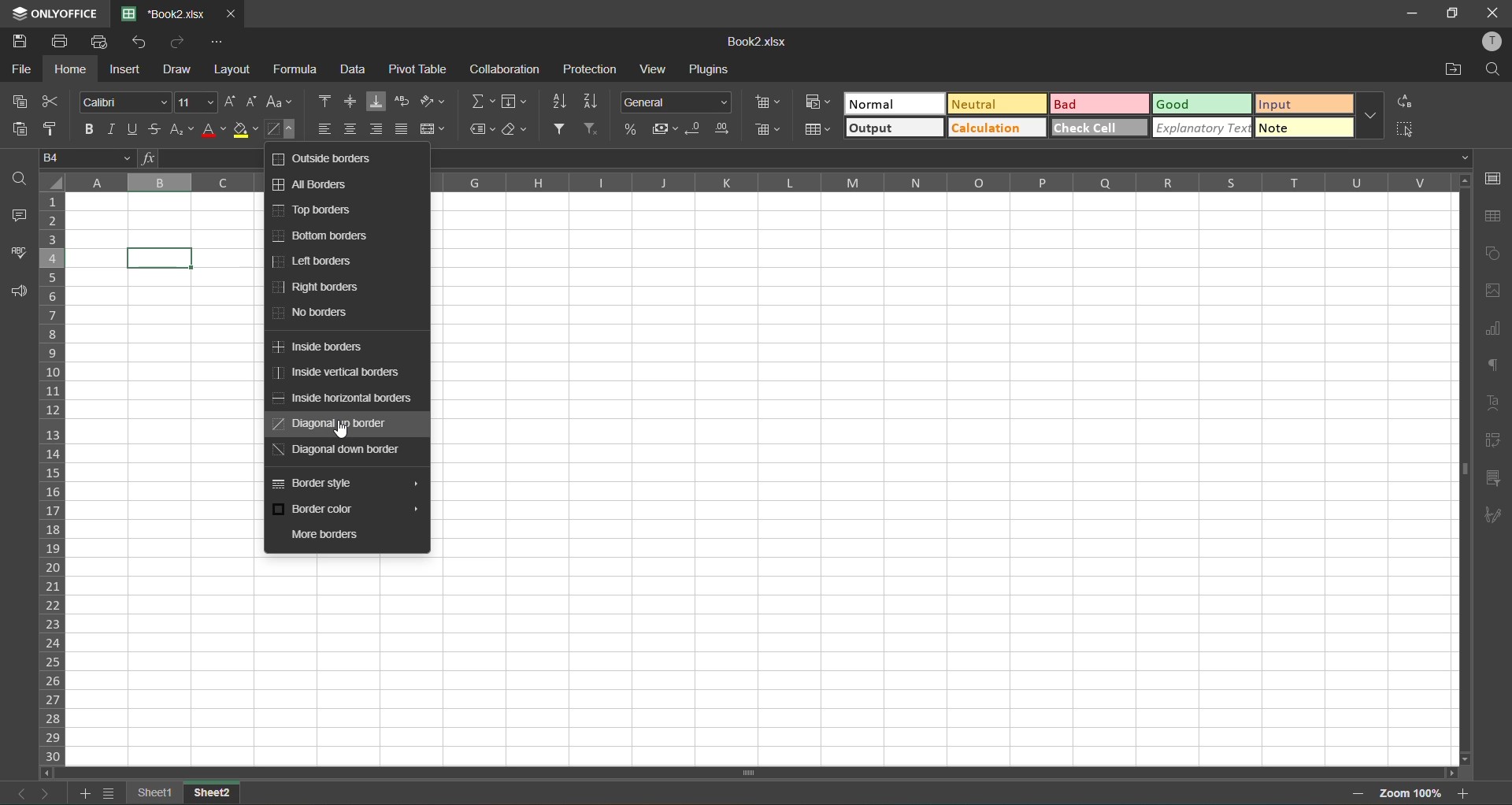 The width and height of the screenshot is (1512, 805). I want to click on fillcolor, so click(245, 131).